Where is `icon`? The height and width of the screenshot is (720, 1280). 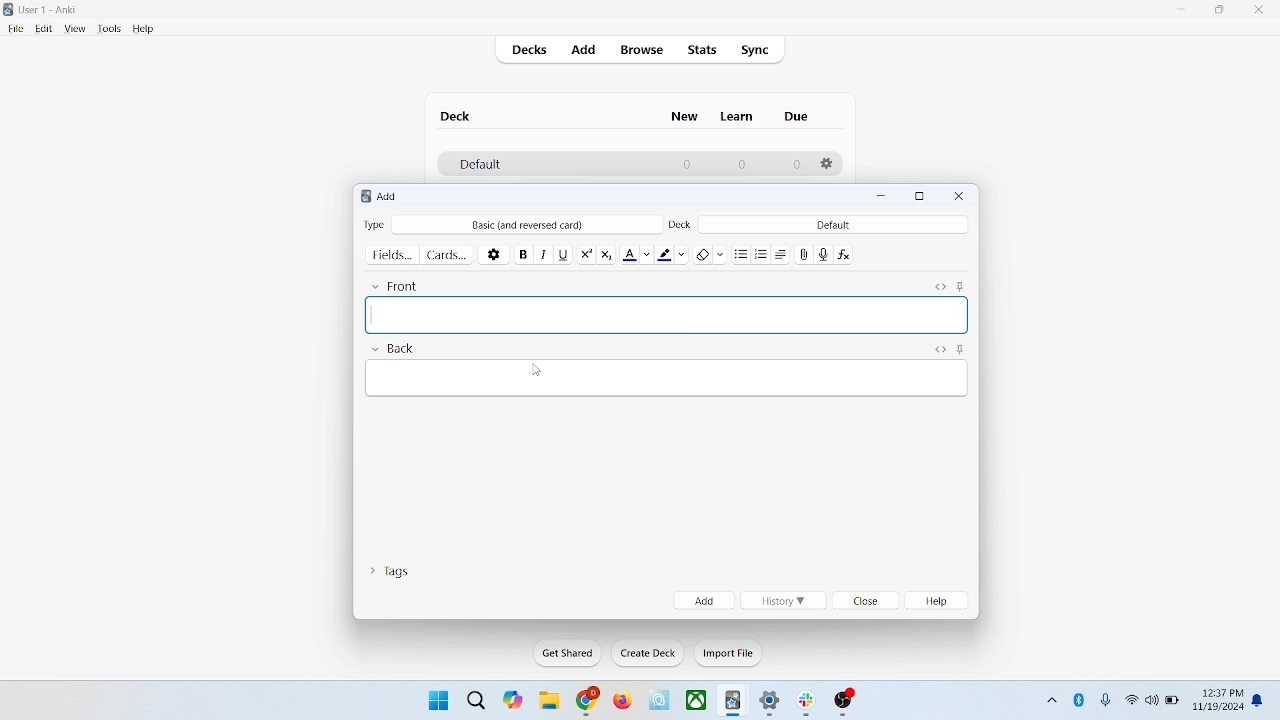
icon is located at coordinates (734, 702).